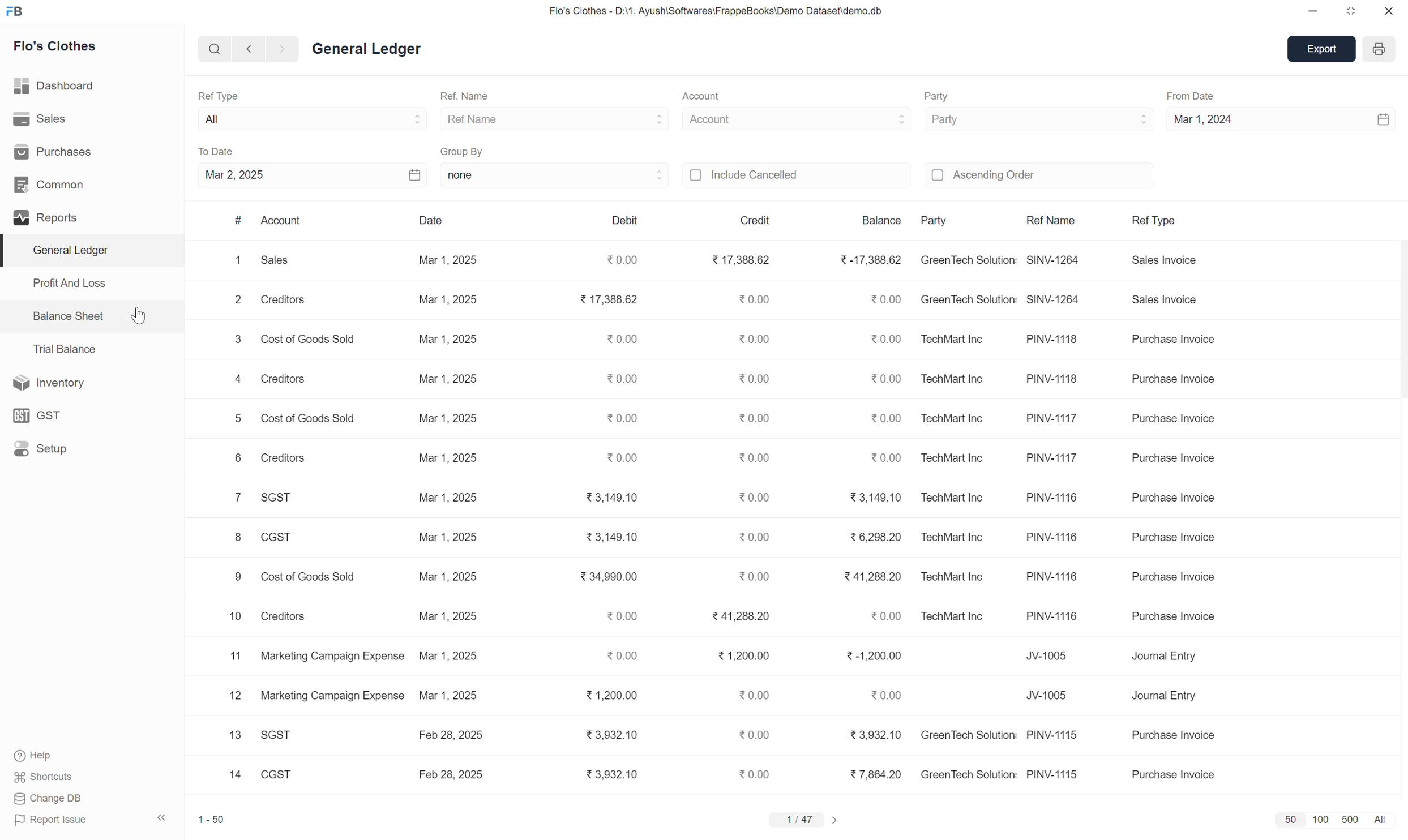 Image resolution: width=1408 pixels, height=840 pixels. What do you see at coordinates (279, 733) in the screenshot?
I see `SGST` at bounding box center [279, 733].